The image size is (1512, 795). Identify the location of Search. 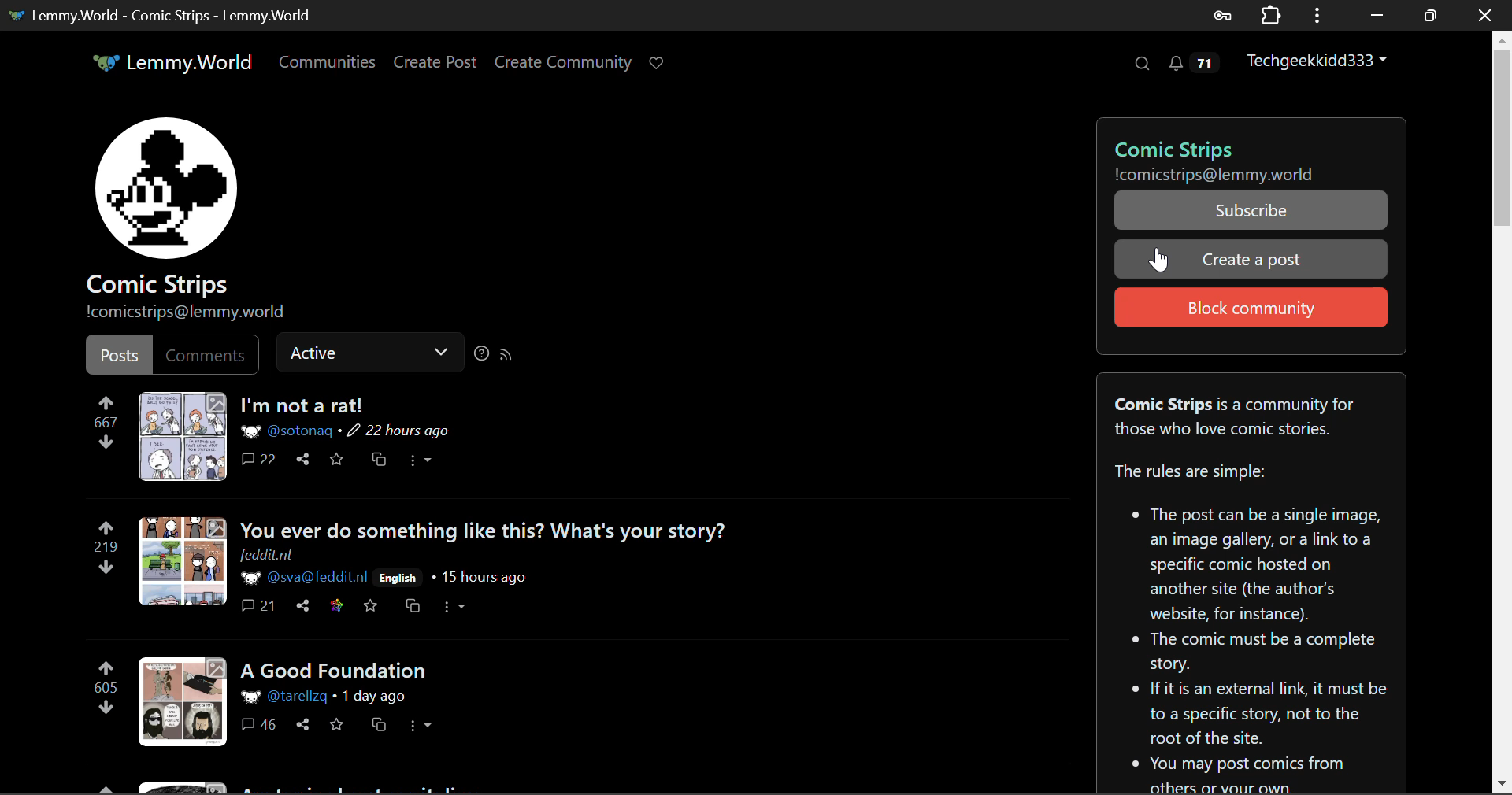
(1142, 65).